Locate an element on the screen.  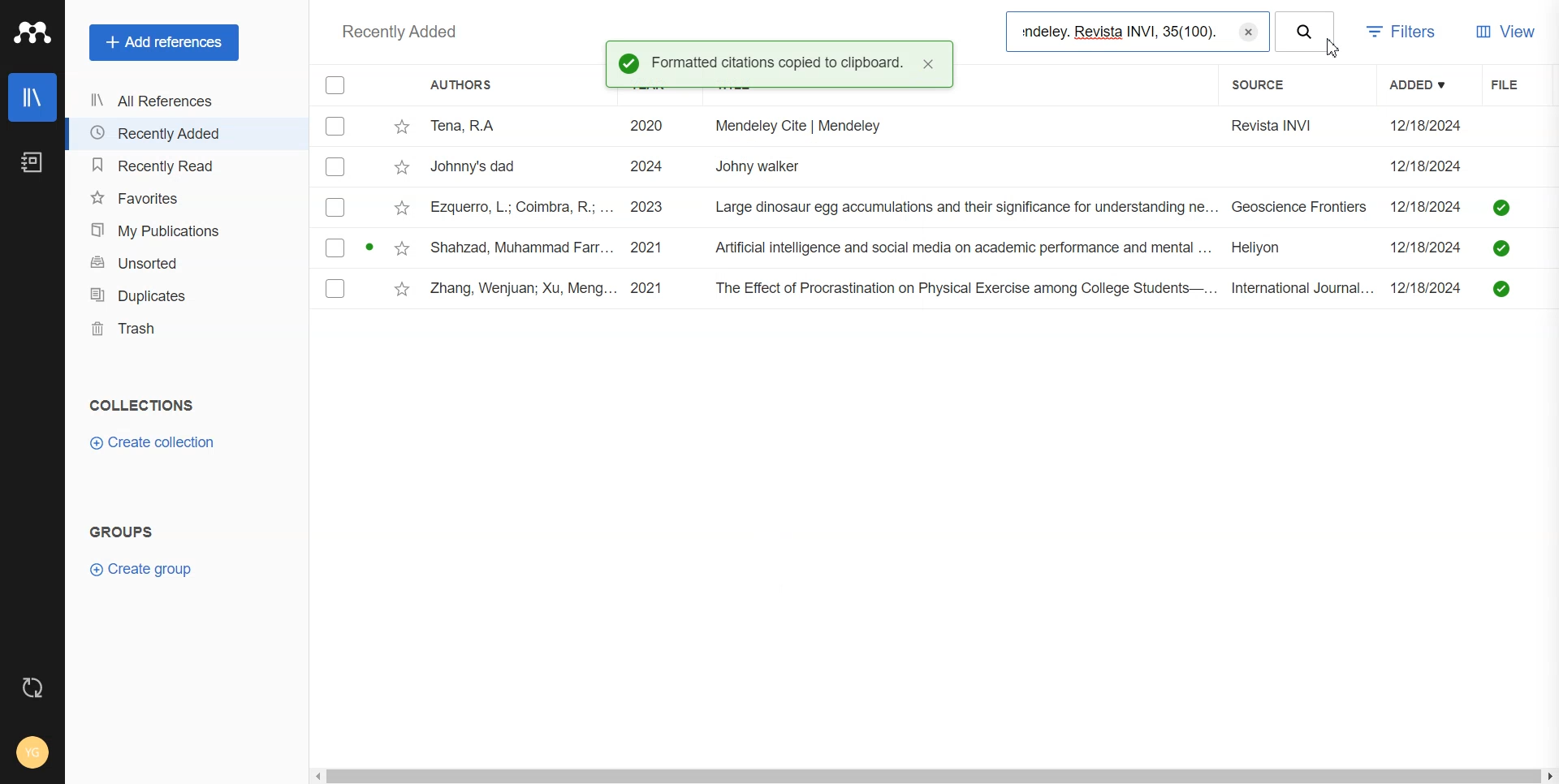
Star is located at coordinates (402, 207).